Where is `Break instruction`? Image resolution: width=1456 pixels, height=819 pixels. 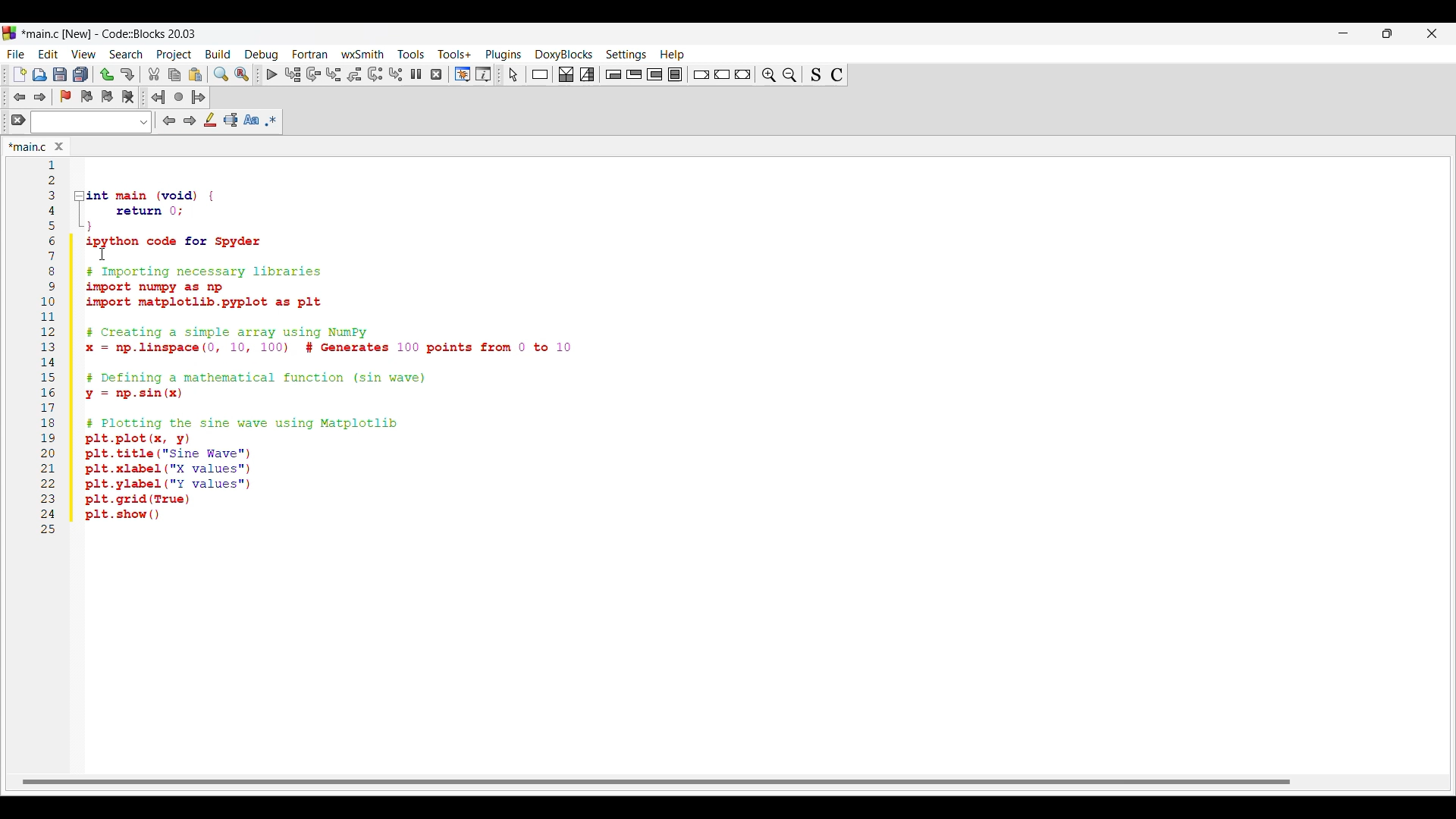 Break instruction is located at coordinates (701, 75).